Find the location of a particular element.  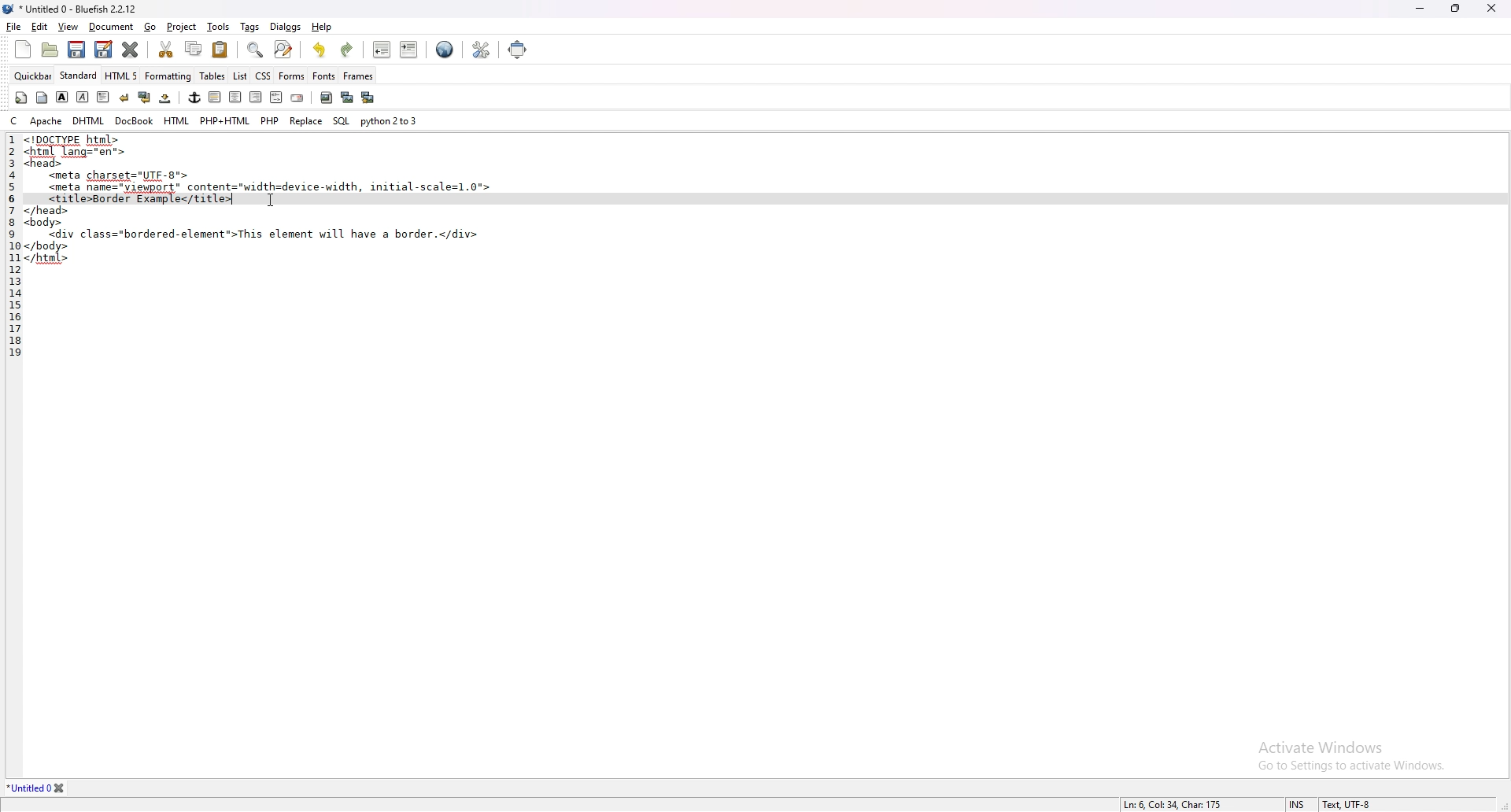

document is located at coordinates (111, 28).